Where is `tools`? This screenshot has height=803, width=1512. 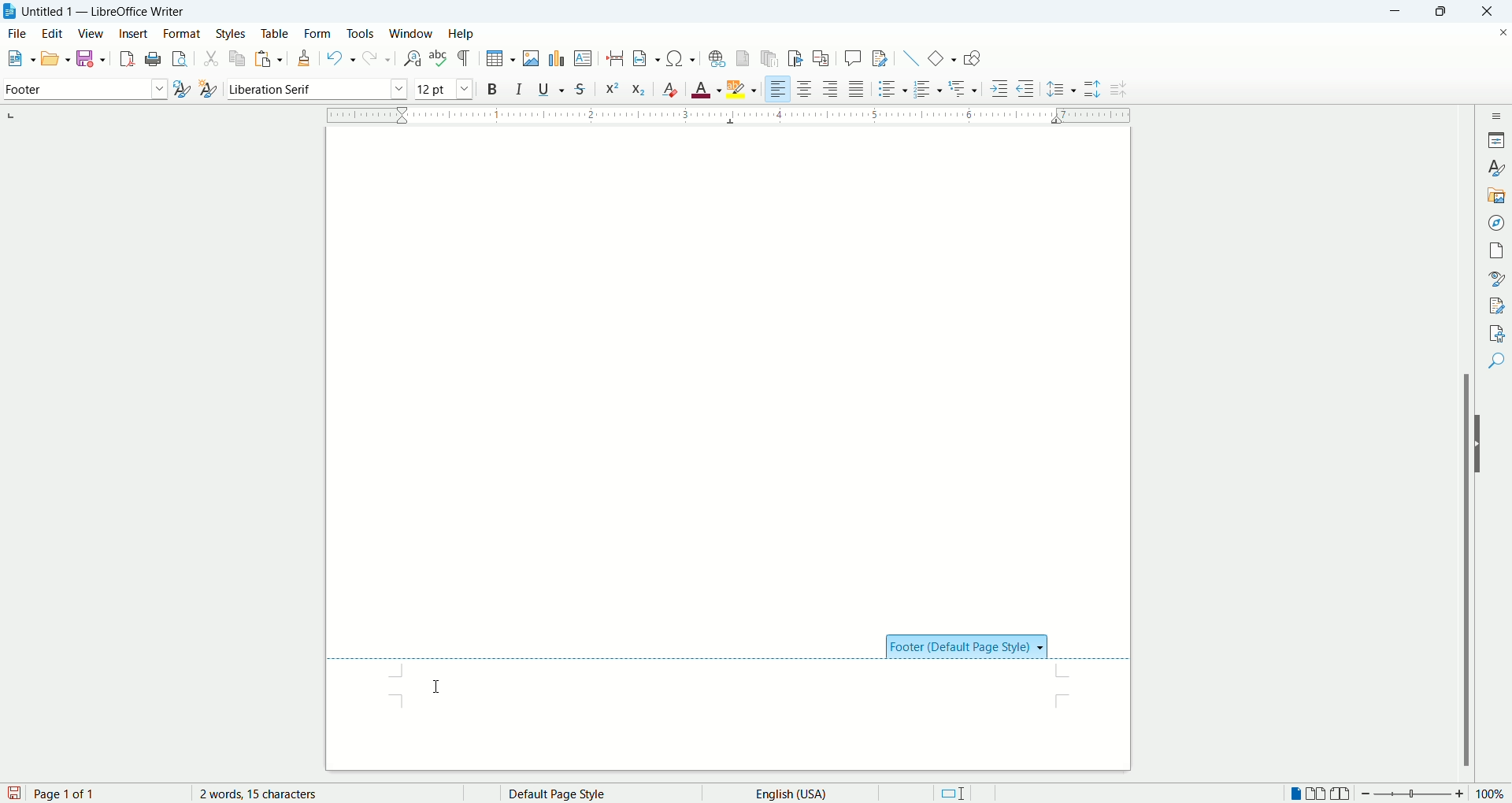
tools is located at coordinates (362, 32).